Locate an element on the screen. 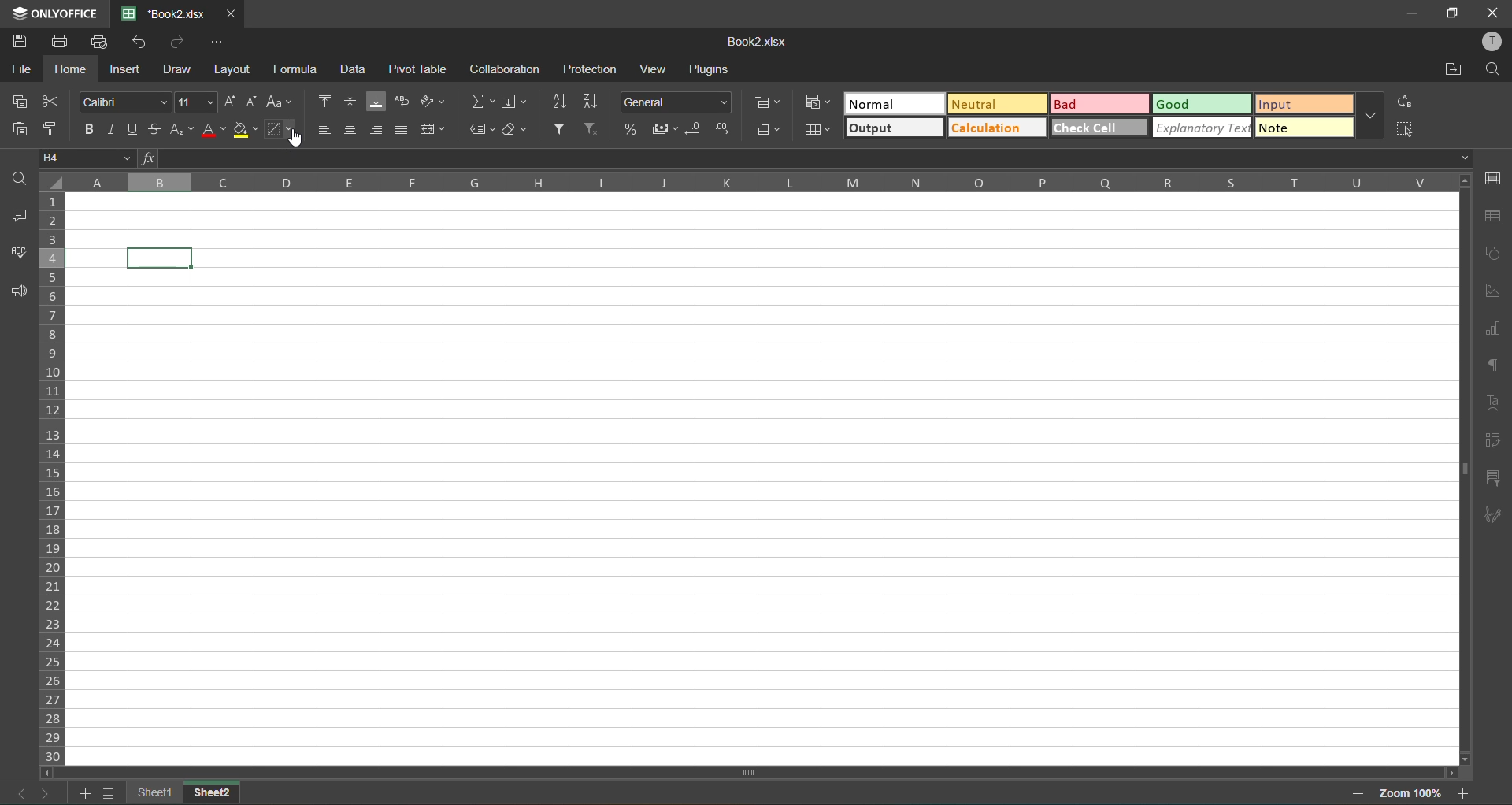  align top is located at coordinates (327, 101).